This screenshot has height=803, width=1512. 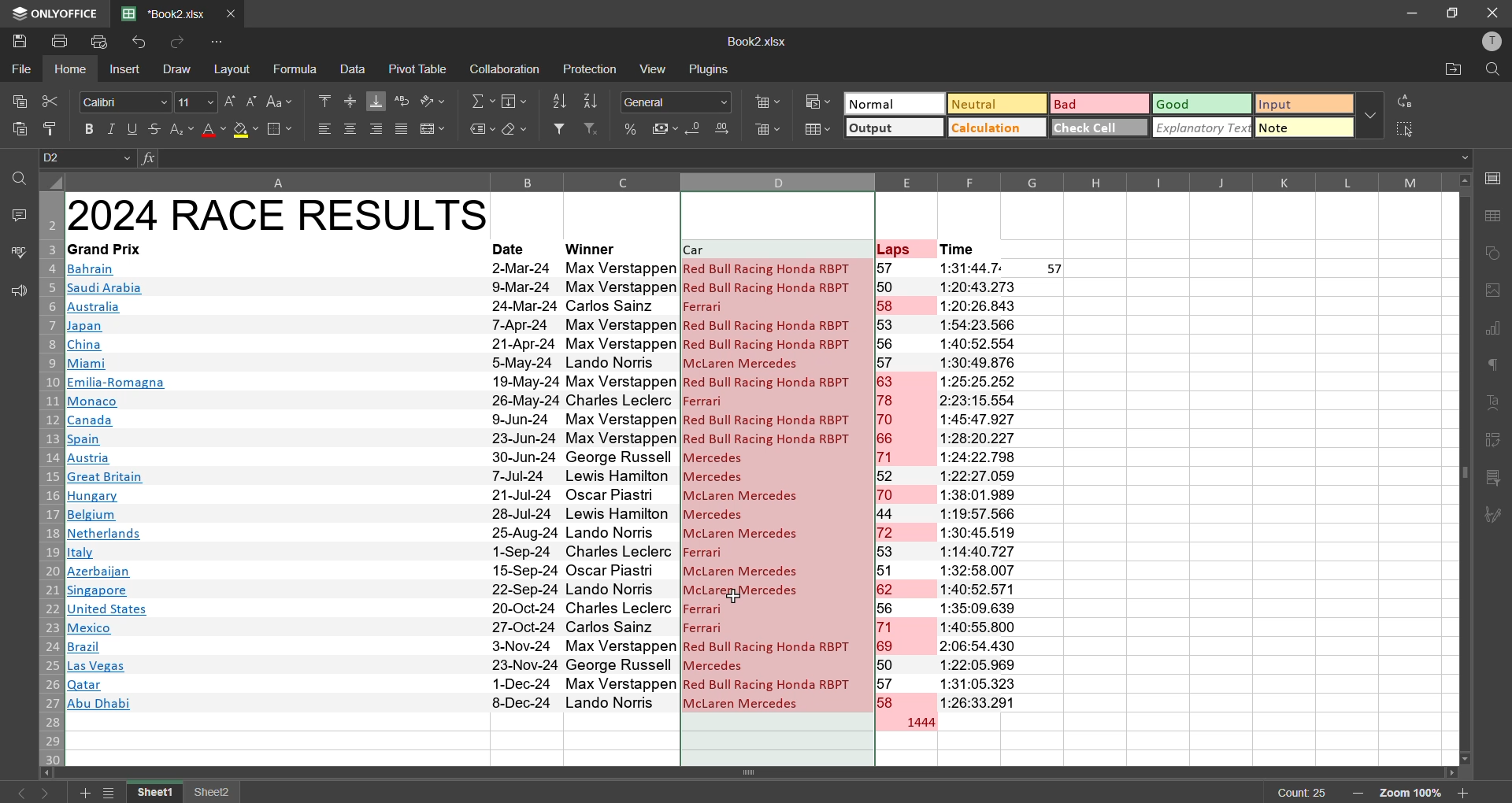 What do you see at coordinates (48, 479) in the screenshot?
I see `row numbers` at bounding box center [48, 479].